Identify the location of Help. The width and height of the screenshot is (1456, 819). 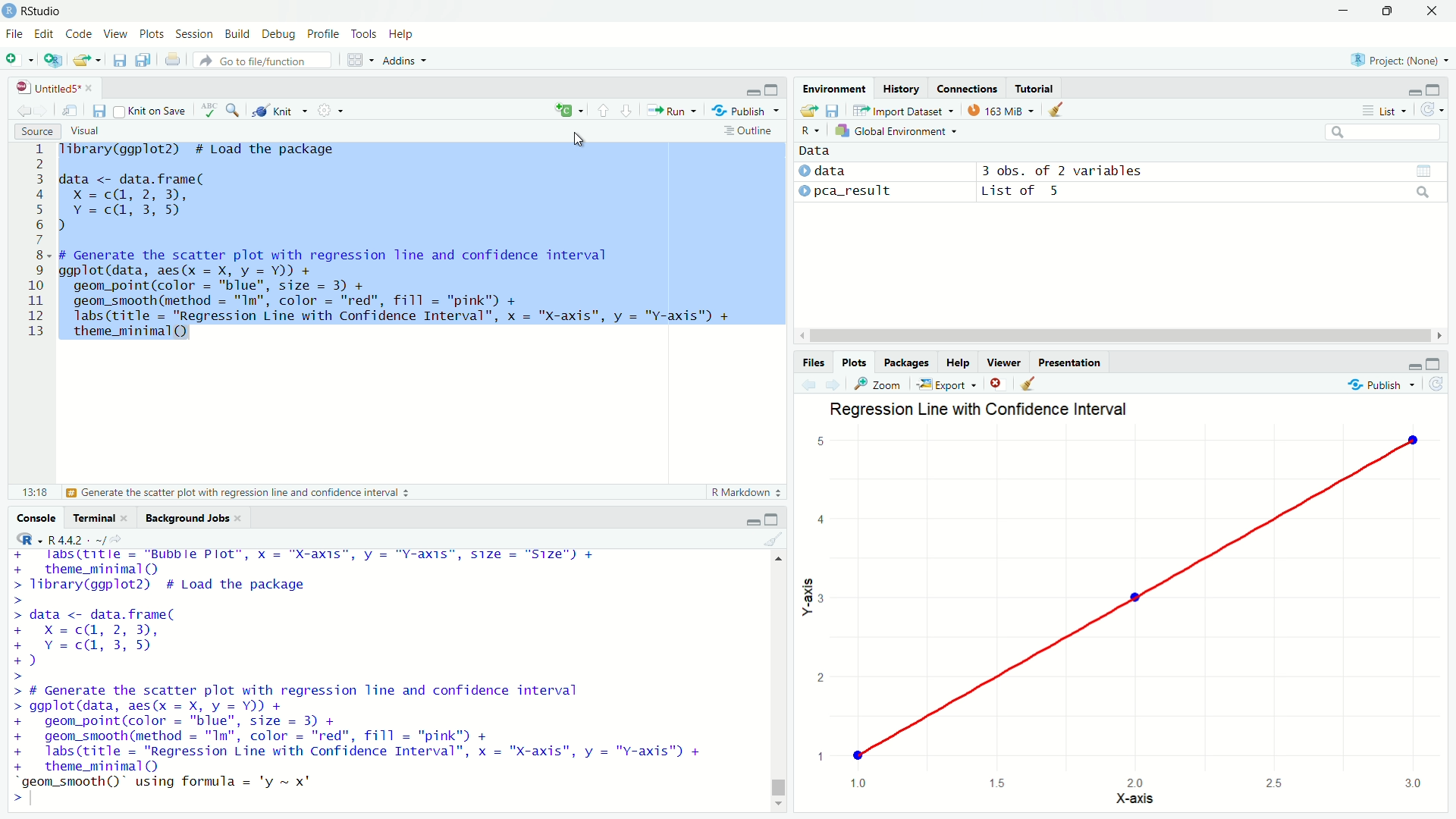
(958, 362).